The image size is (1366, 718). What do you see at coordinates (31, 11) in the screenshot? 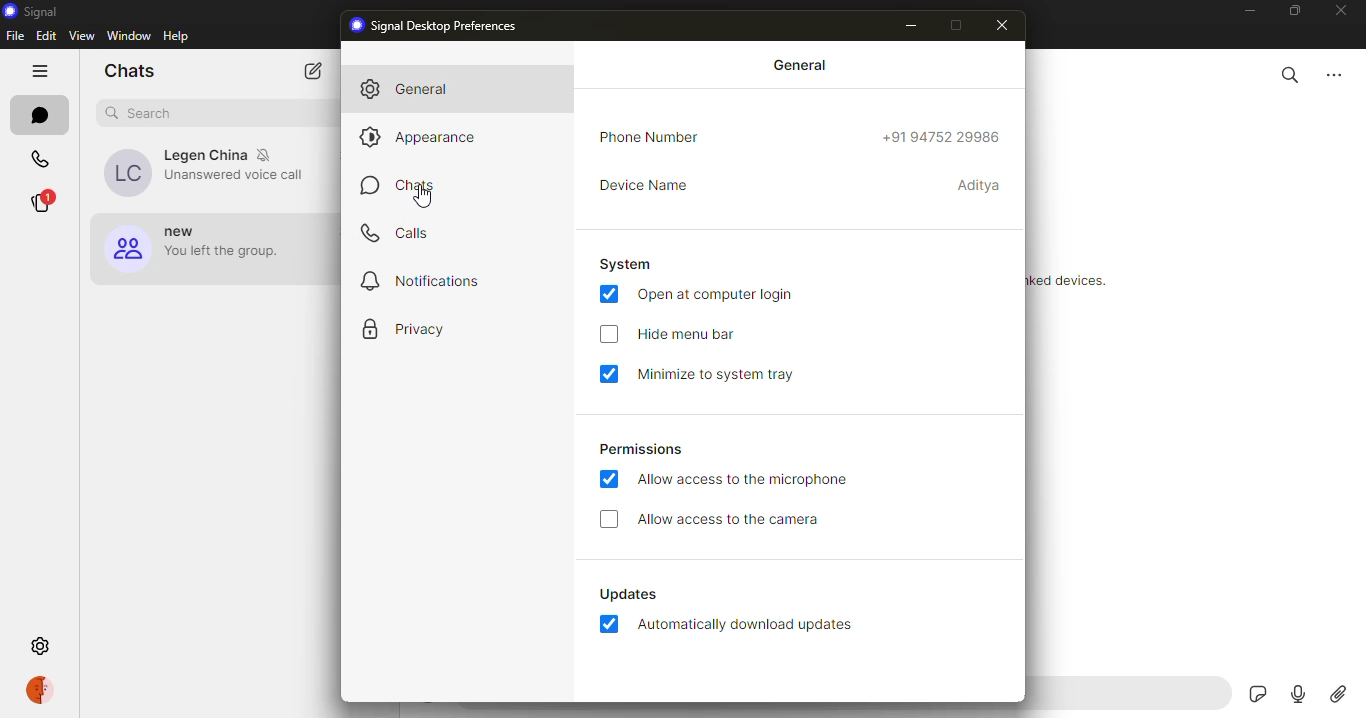
I see `signal` at bounding box center [31, 11].